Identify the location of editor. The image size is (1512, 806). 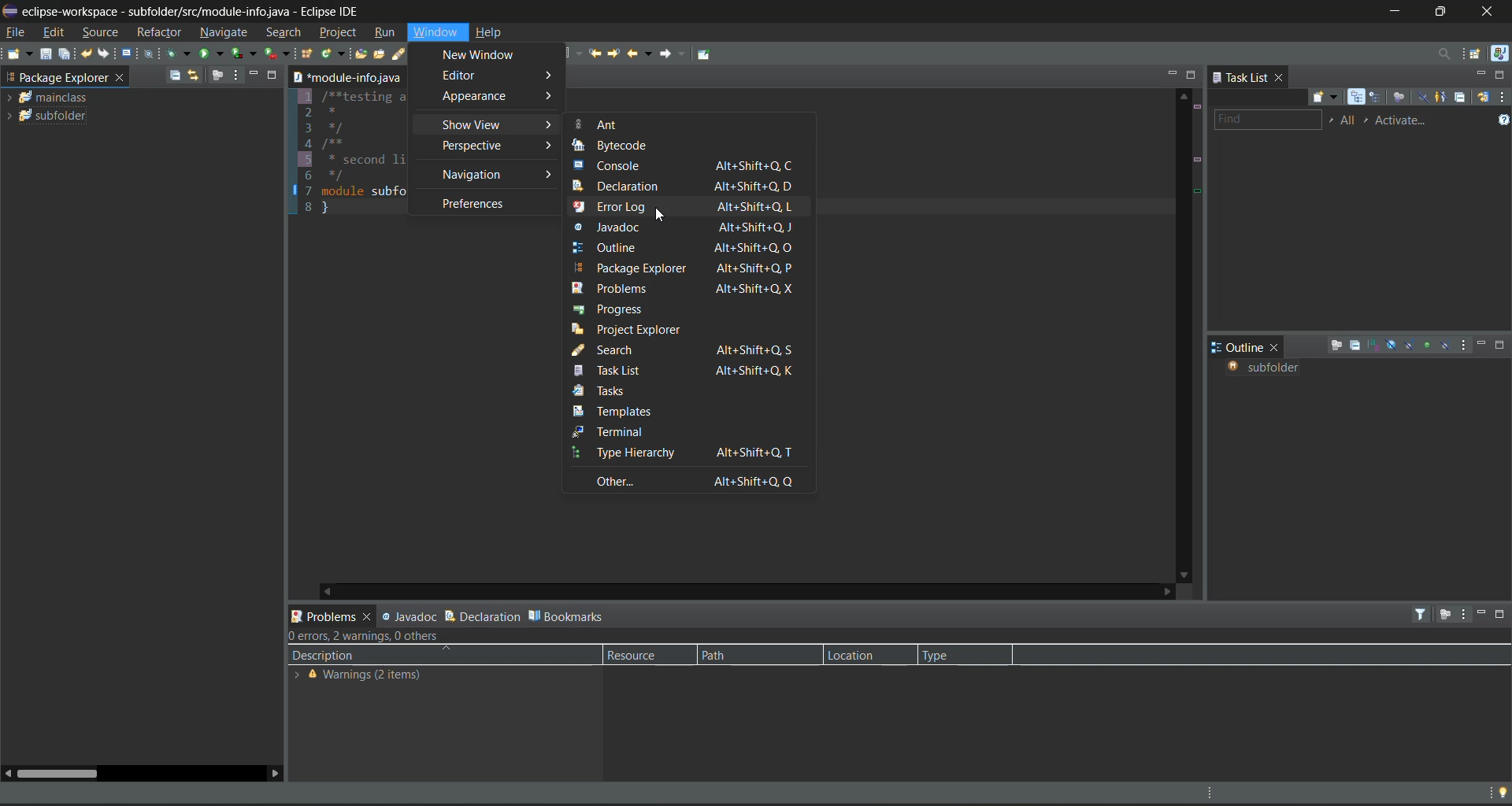
(502, 76).